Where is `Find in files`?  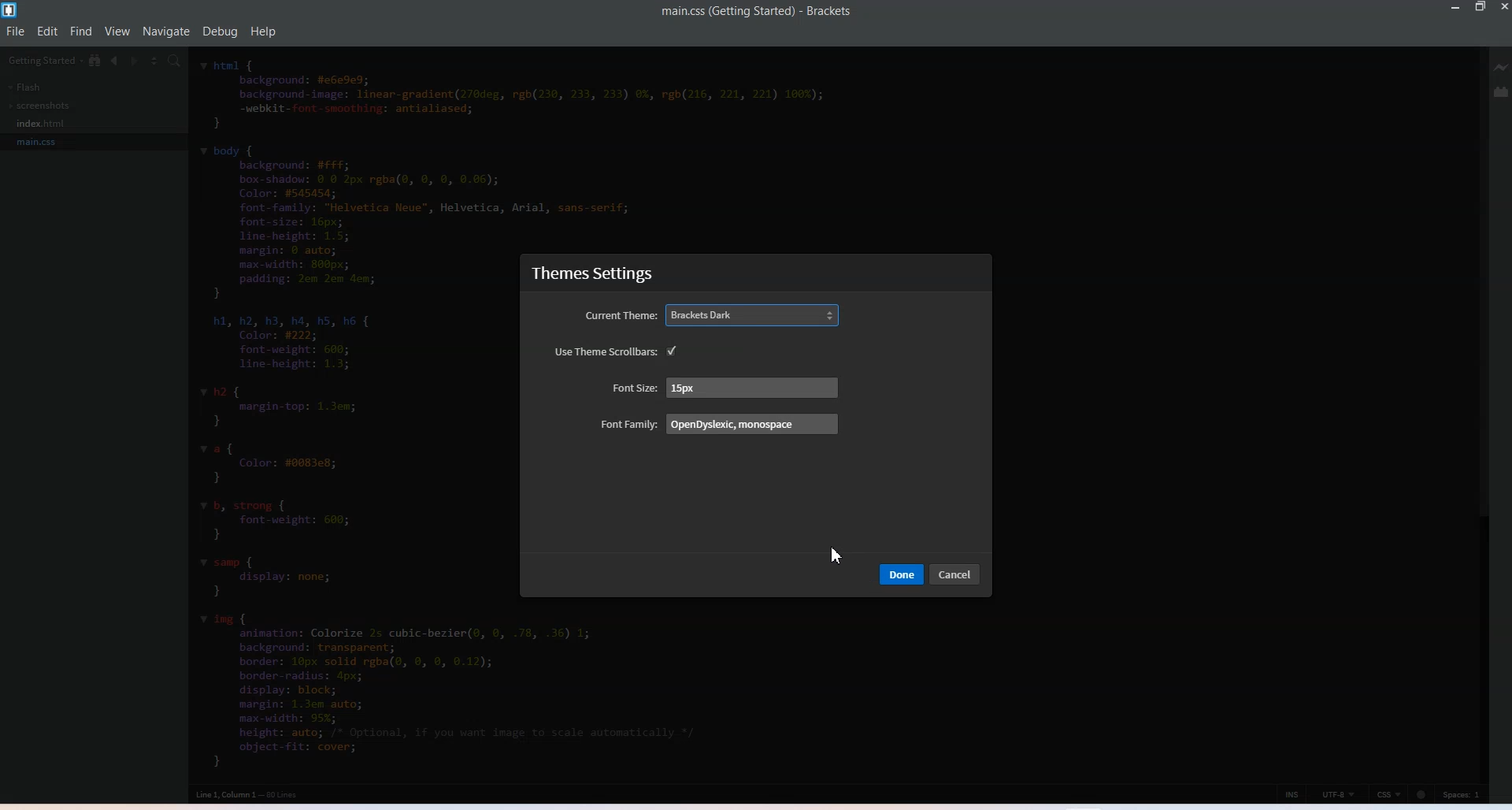
Find in files is located at coordinates (176, 62).